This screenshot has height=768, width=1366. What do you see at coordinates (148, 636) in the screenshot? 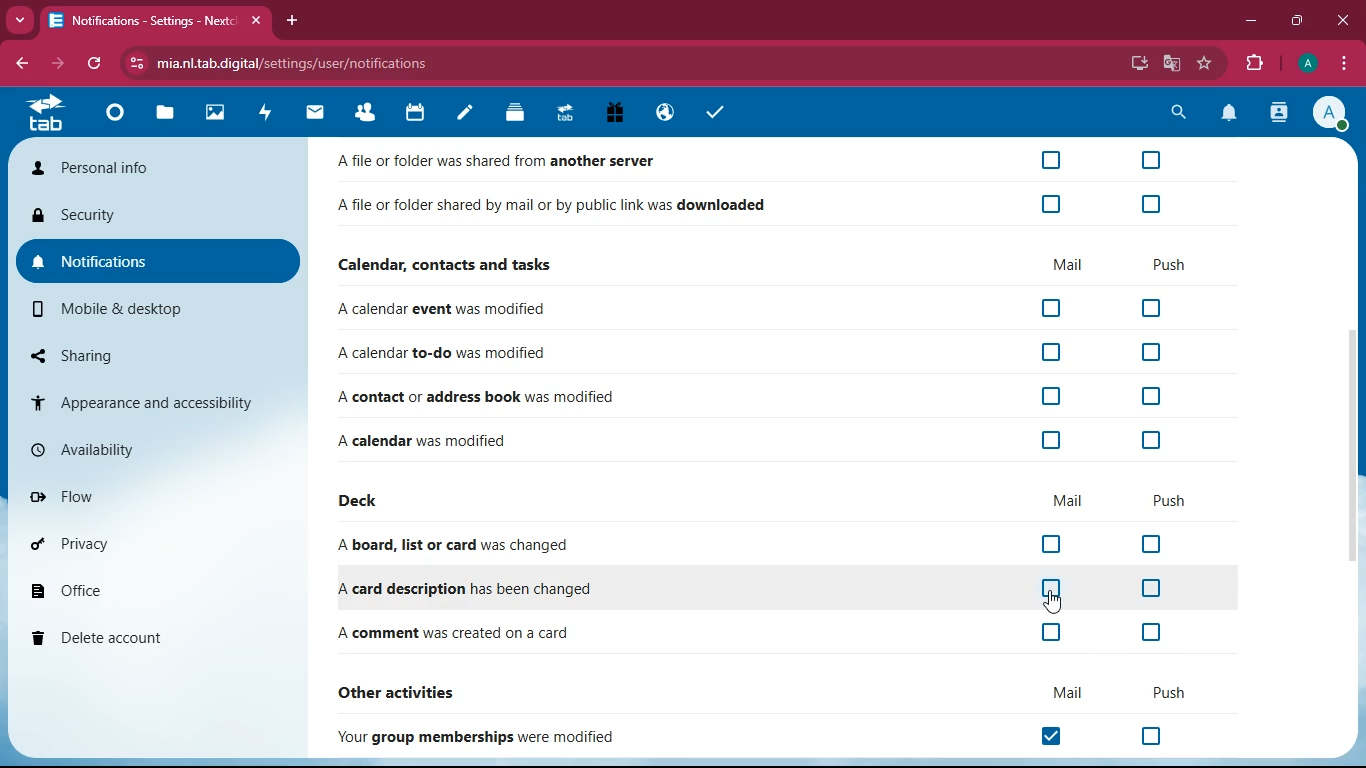
I see `delete account` at bounding box center [148, 636].